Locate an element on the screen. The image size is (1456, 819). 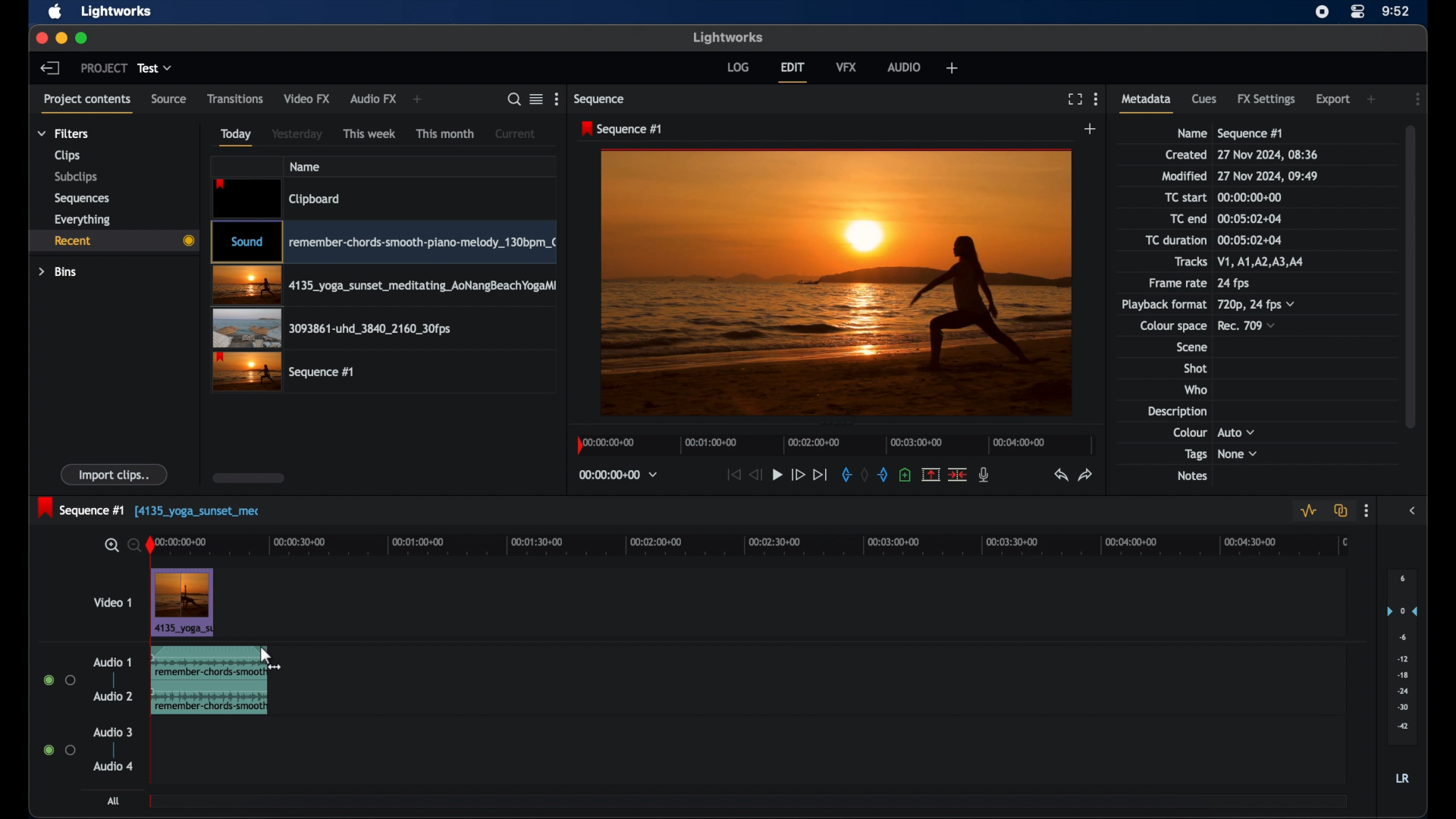
log is located at coordinates (738, 67).